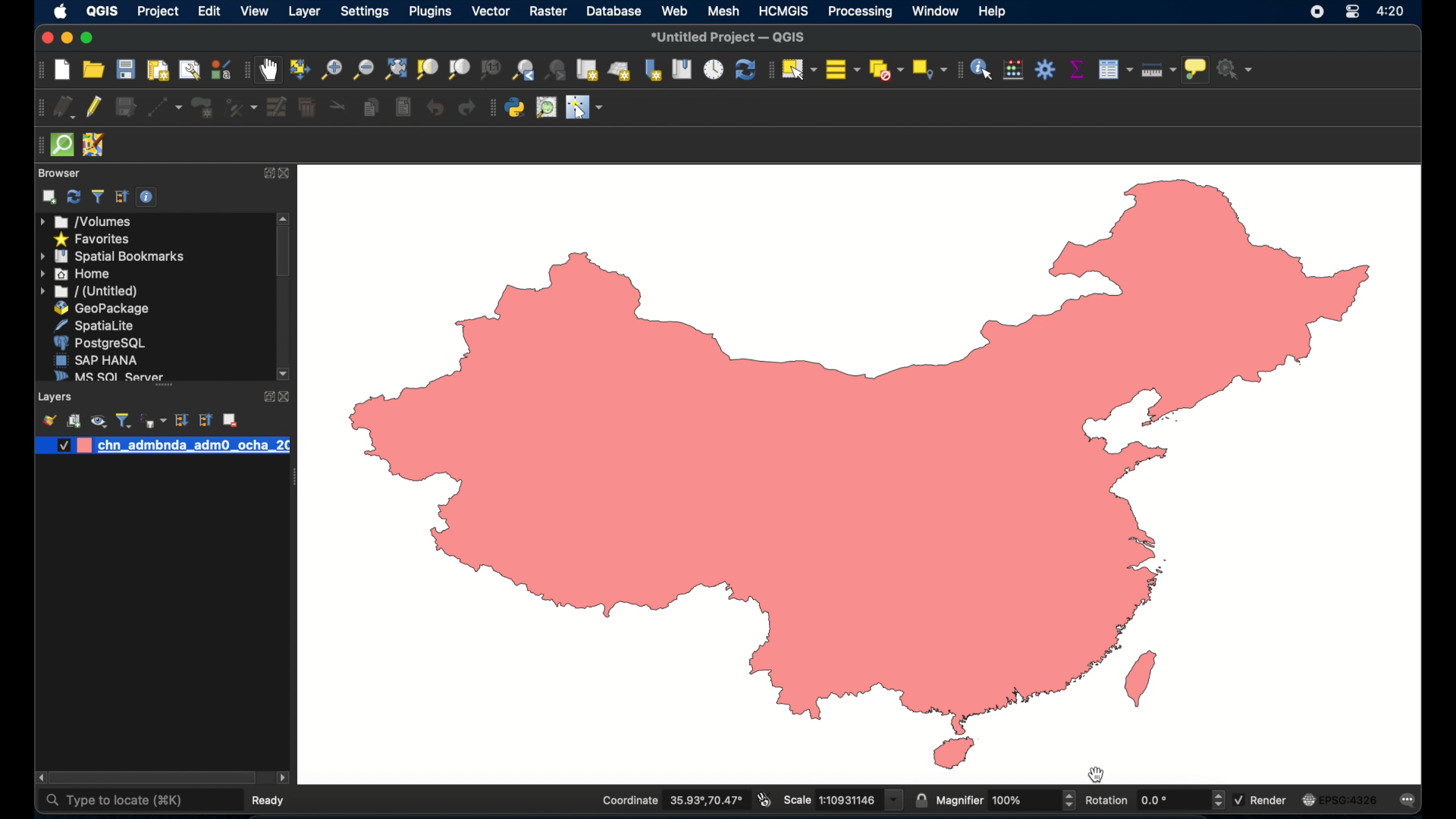 The image size is (1456, 819). I want to click on modify attributes, so click(275, 107).